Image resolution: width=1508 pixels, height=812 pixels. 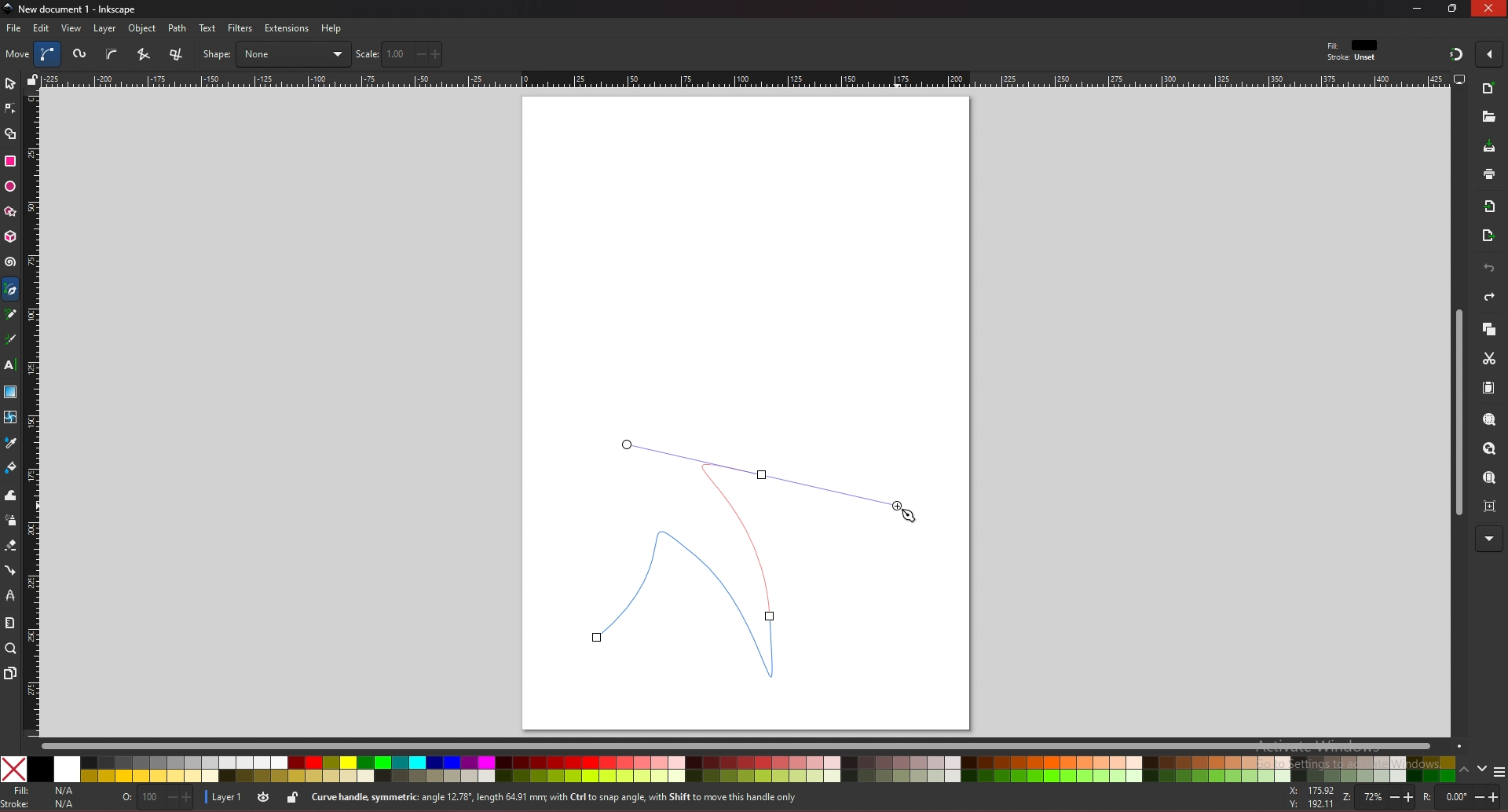 I want to click on scroll bar, so click(x=1456, y=413).